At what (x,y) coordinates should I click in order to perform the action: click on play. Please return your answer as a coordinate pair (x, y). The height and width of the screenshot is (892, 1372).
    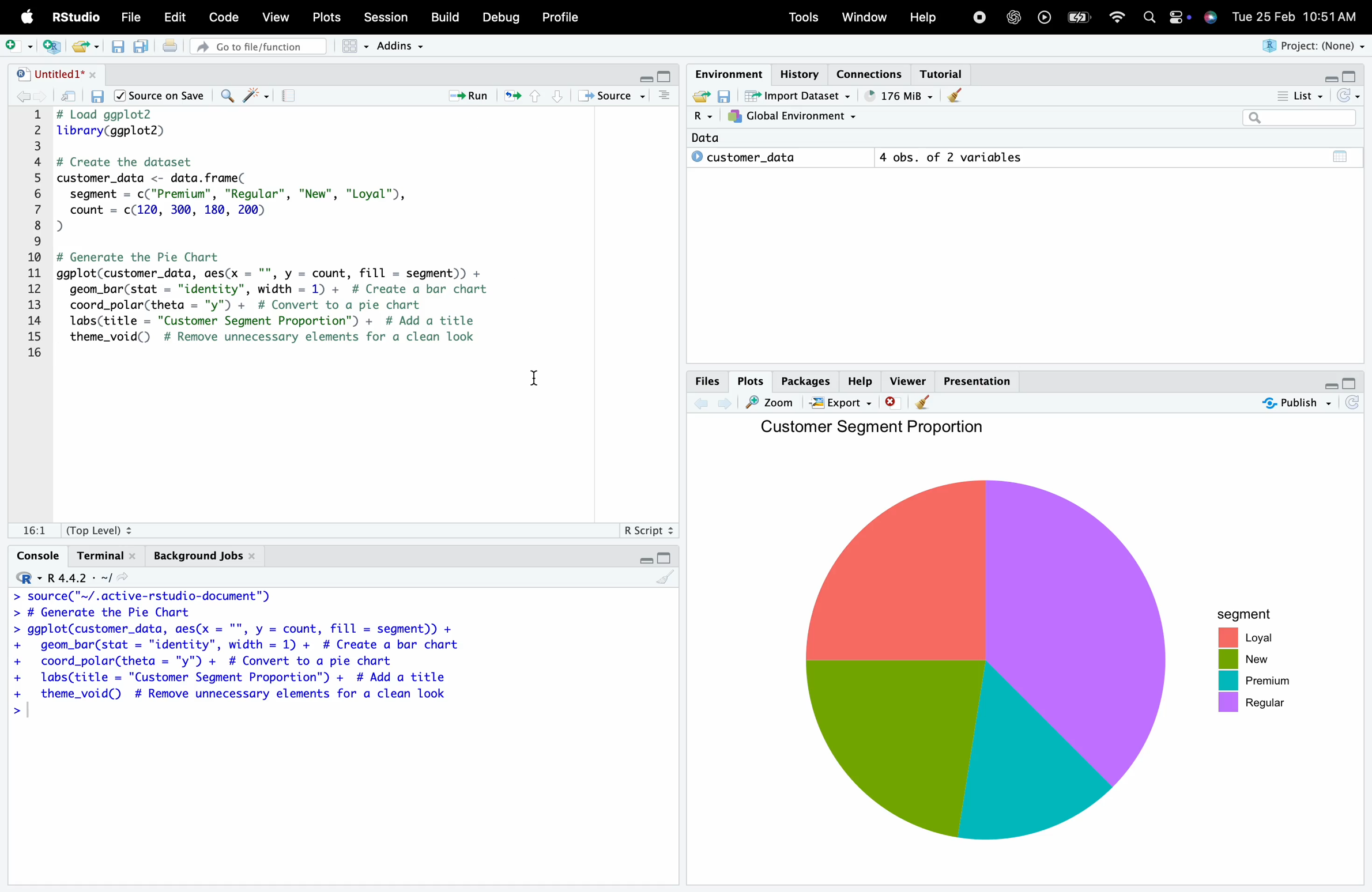
    Looking at the image, I should click on (1045, 16).